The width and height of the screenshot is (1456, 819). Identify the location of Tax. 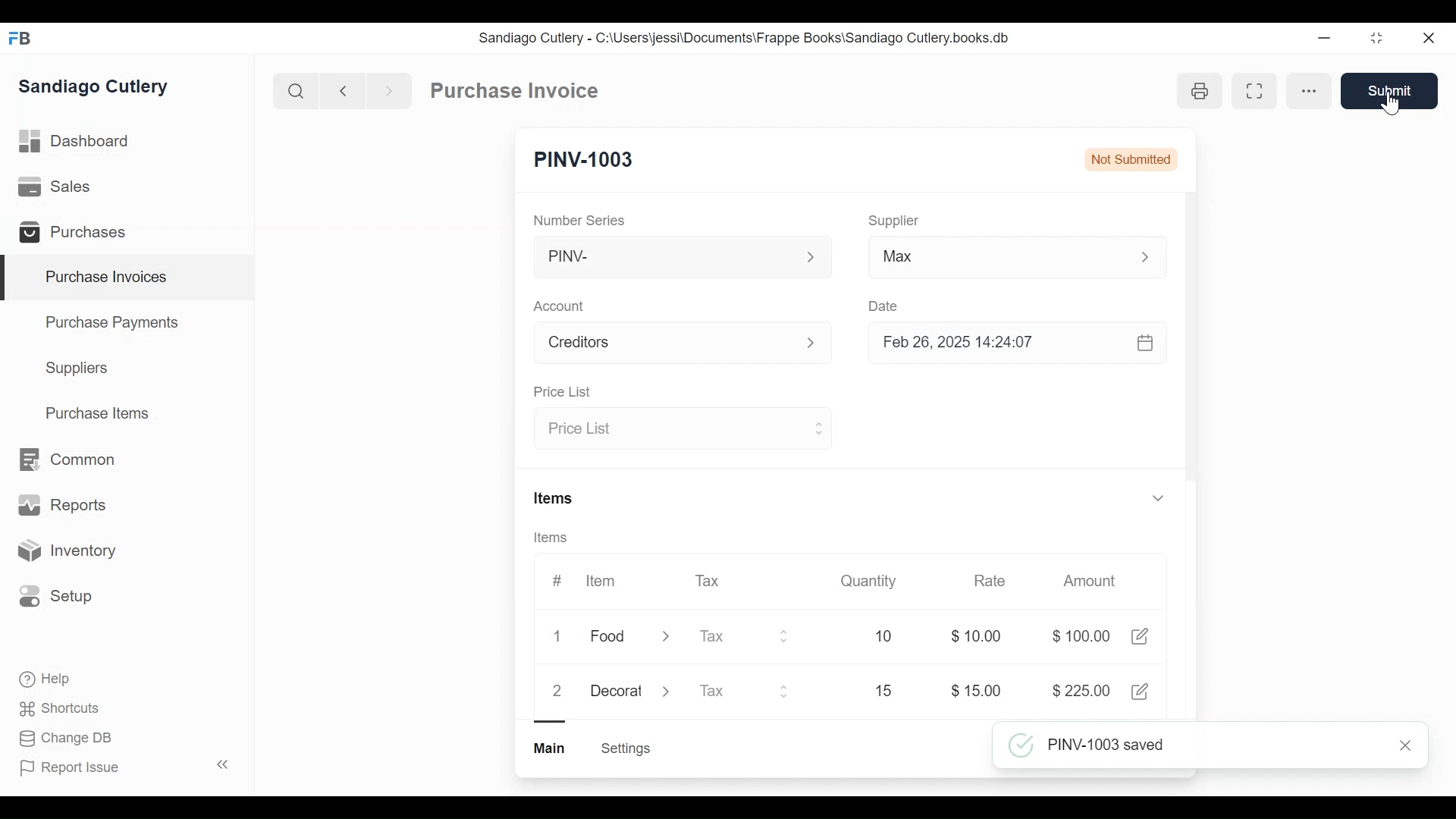
(710, 579).